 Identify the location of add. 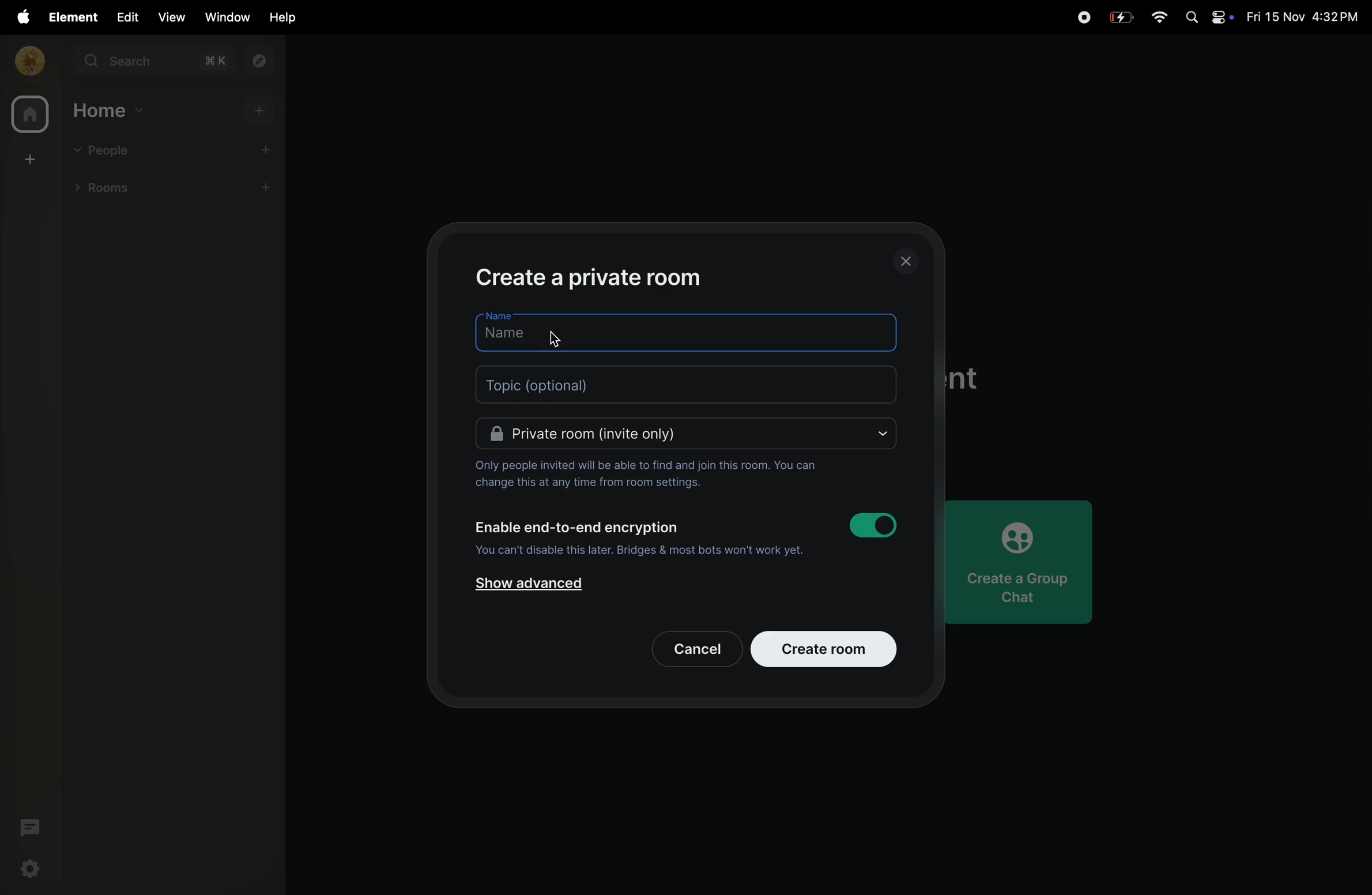
(271, 149).